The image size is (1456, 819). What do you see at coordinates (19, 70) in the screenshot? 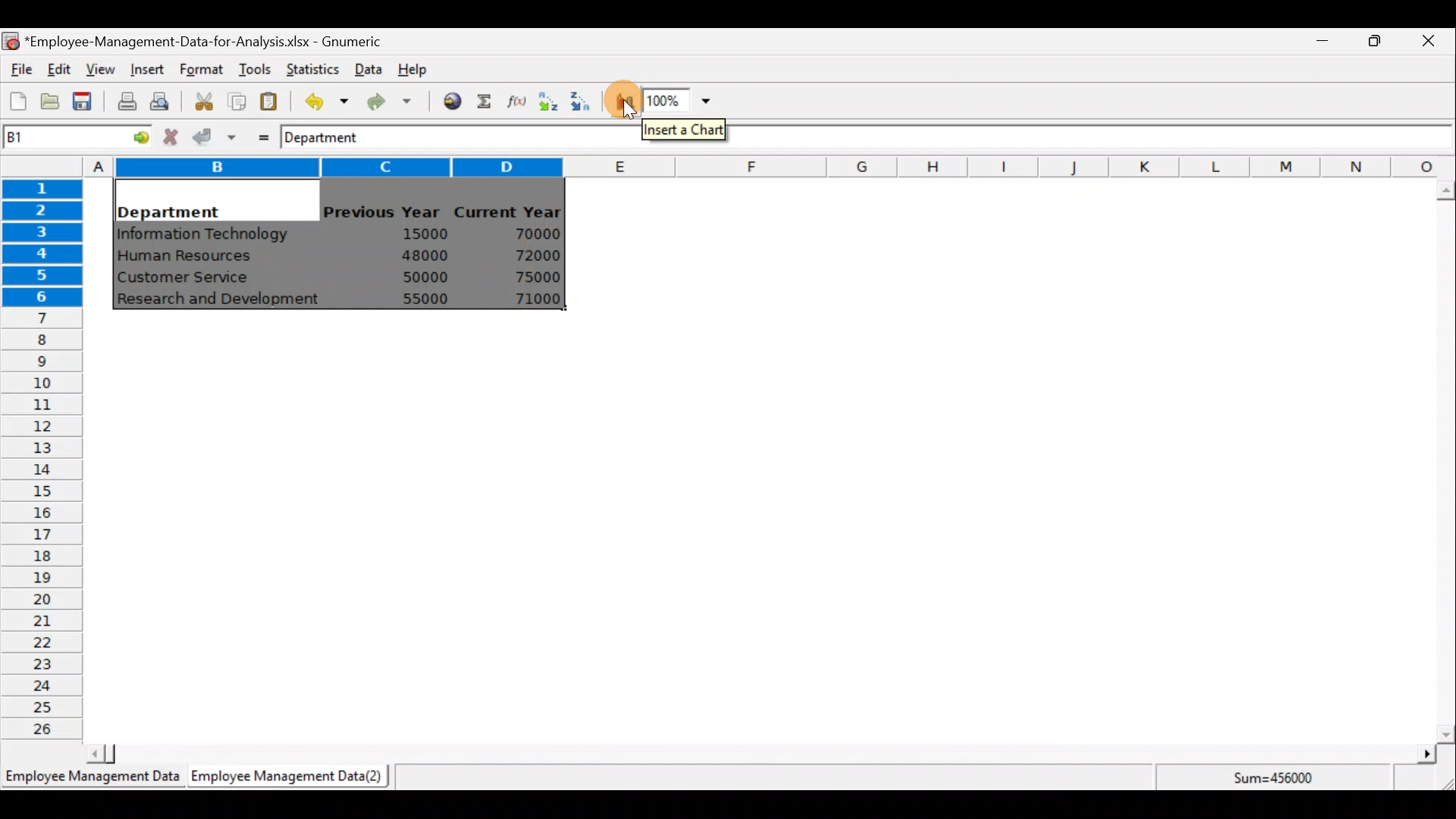
I see `File` at bounding box center [19, 70].